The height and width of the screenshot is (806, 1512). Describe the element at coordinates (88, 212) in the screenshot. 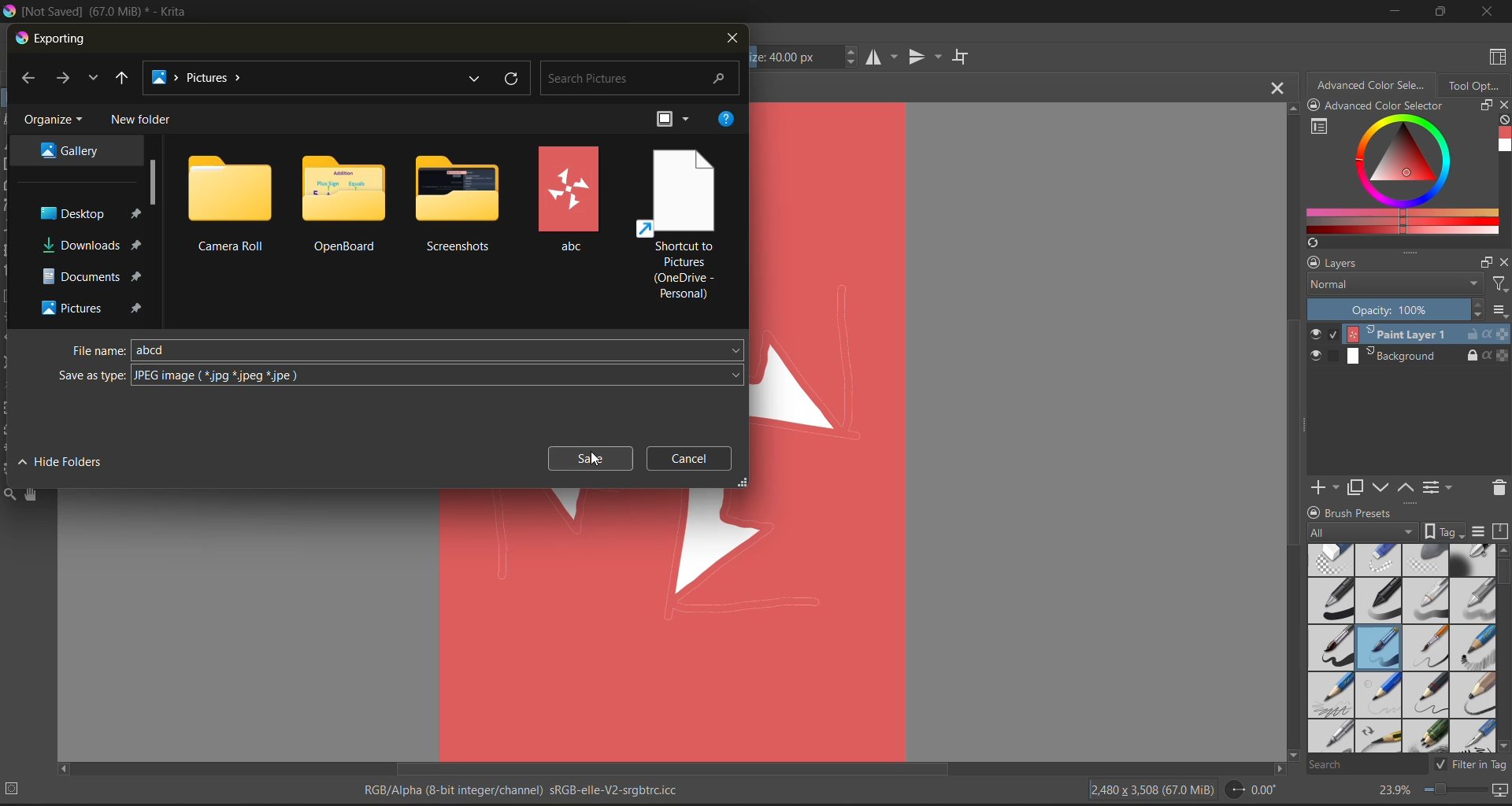

I see `file destination` at that location.